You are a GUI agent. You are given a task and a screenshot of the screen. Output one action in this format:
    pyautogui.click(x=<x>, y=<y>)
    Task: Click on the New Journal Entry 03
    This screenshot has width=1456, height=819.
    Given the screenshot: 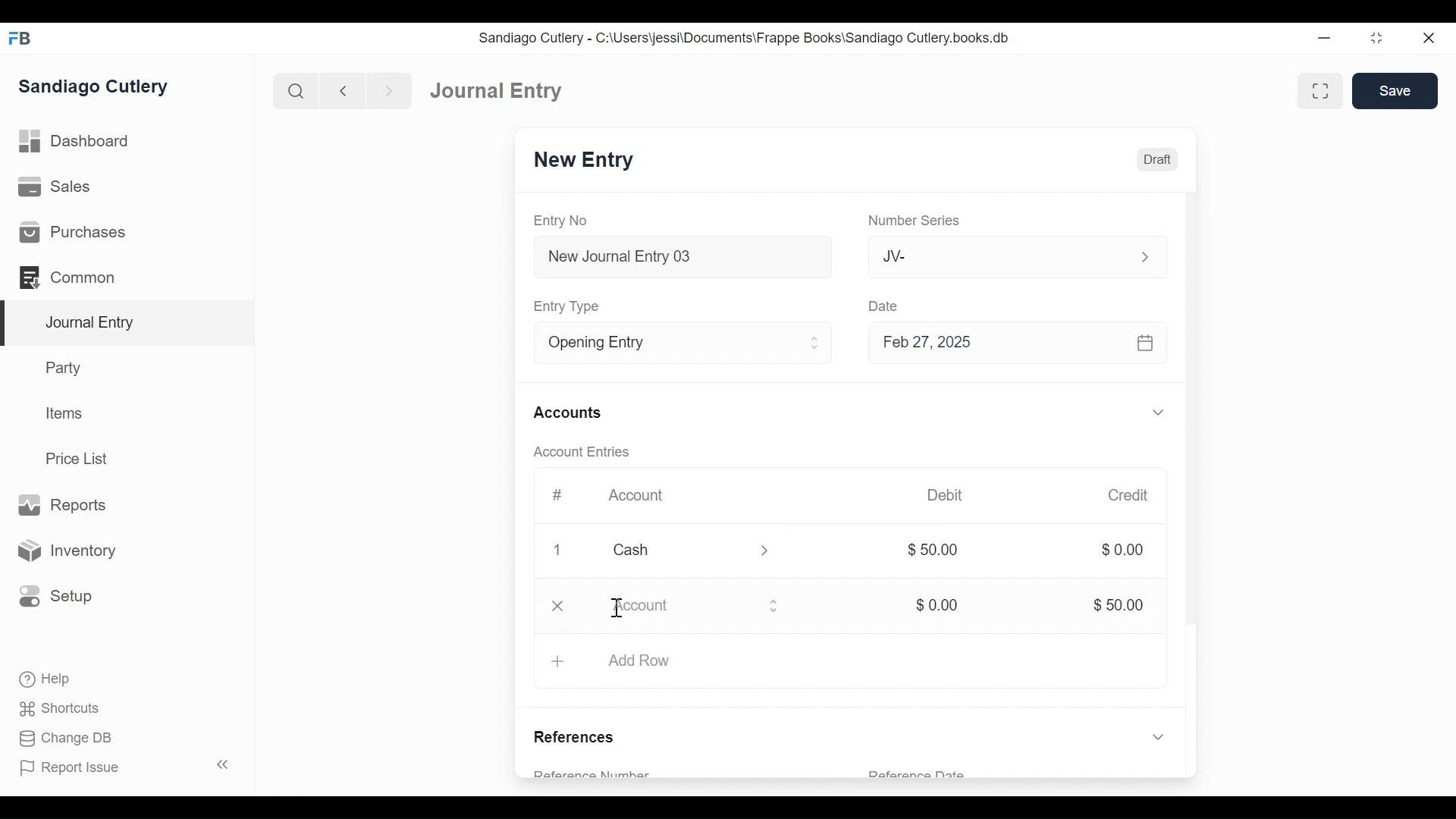 What is the action you would take?
    pyautogui.click(x=679, y=257)
    